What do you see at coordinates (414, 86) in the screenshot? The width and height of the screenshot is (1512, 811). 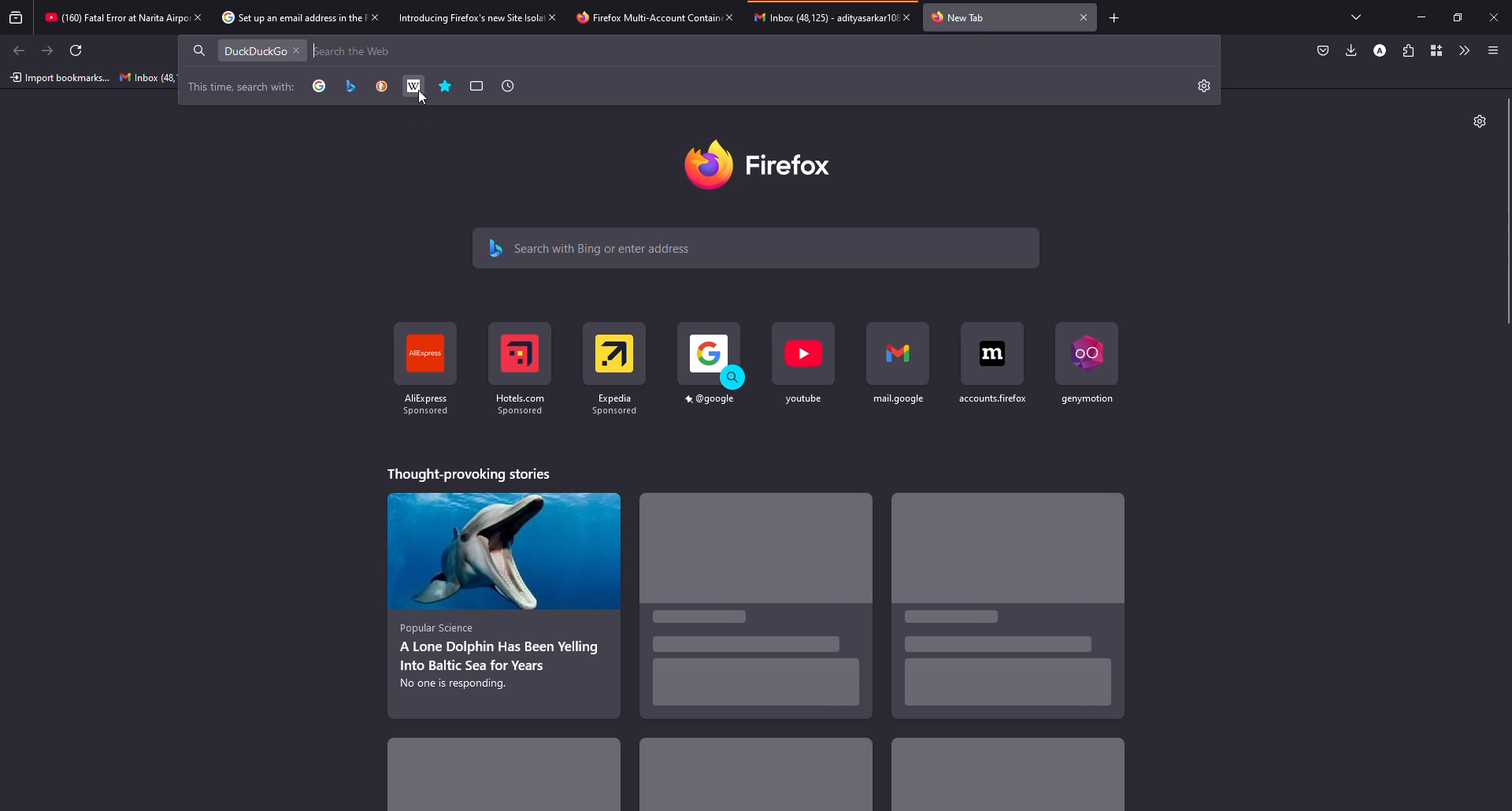 I see `wiki` at bounding box center [414, 86].